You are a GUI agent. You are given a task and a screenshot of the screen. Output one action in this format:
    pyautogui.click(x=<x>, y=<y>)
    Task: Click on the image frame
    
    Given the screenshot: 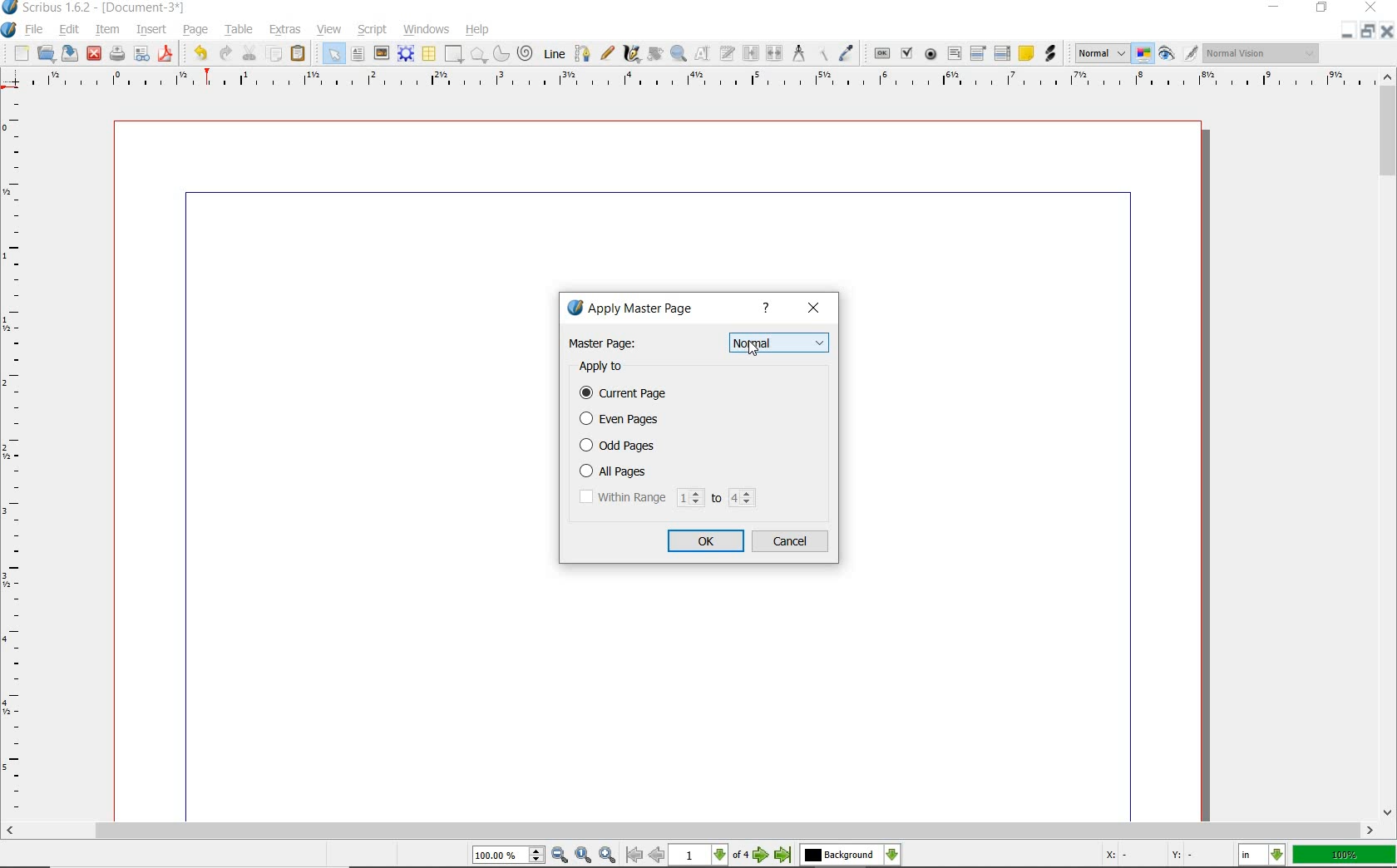 What is the action you would take?
    pyautogui.click(x=380, y=52)
    